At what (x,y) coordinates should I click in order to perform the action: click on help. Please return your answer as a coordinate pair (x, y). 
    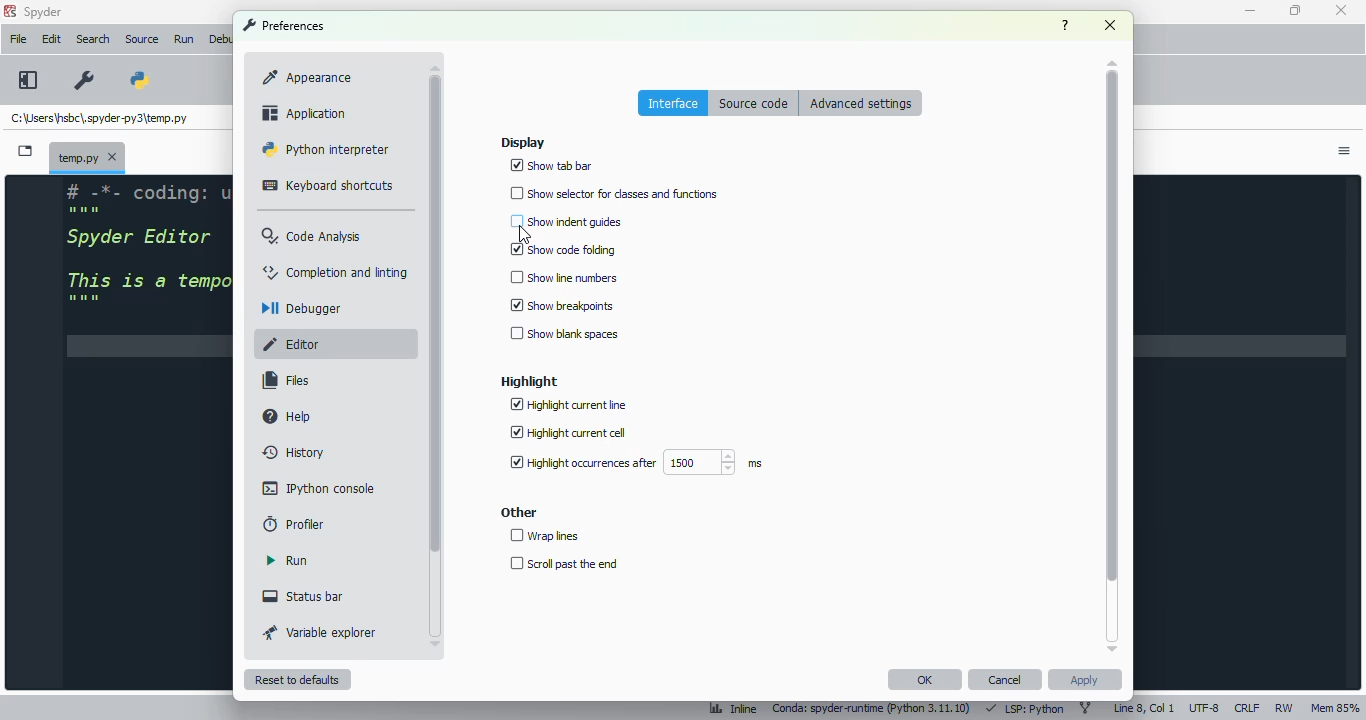
    Looking at the image, I should click on (289, 417).